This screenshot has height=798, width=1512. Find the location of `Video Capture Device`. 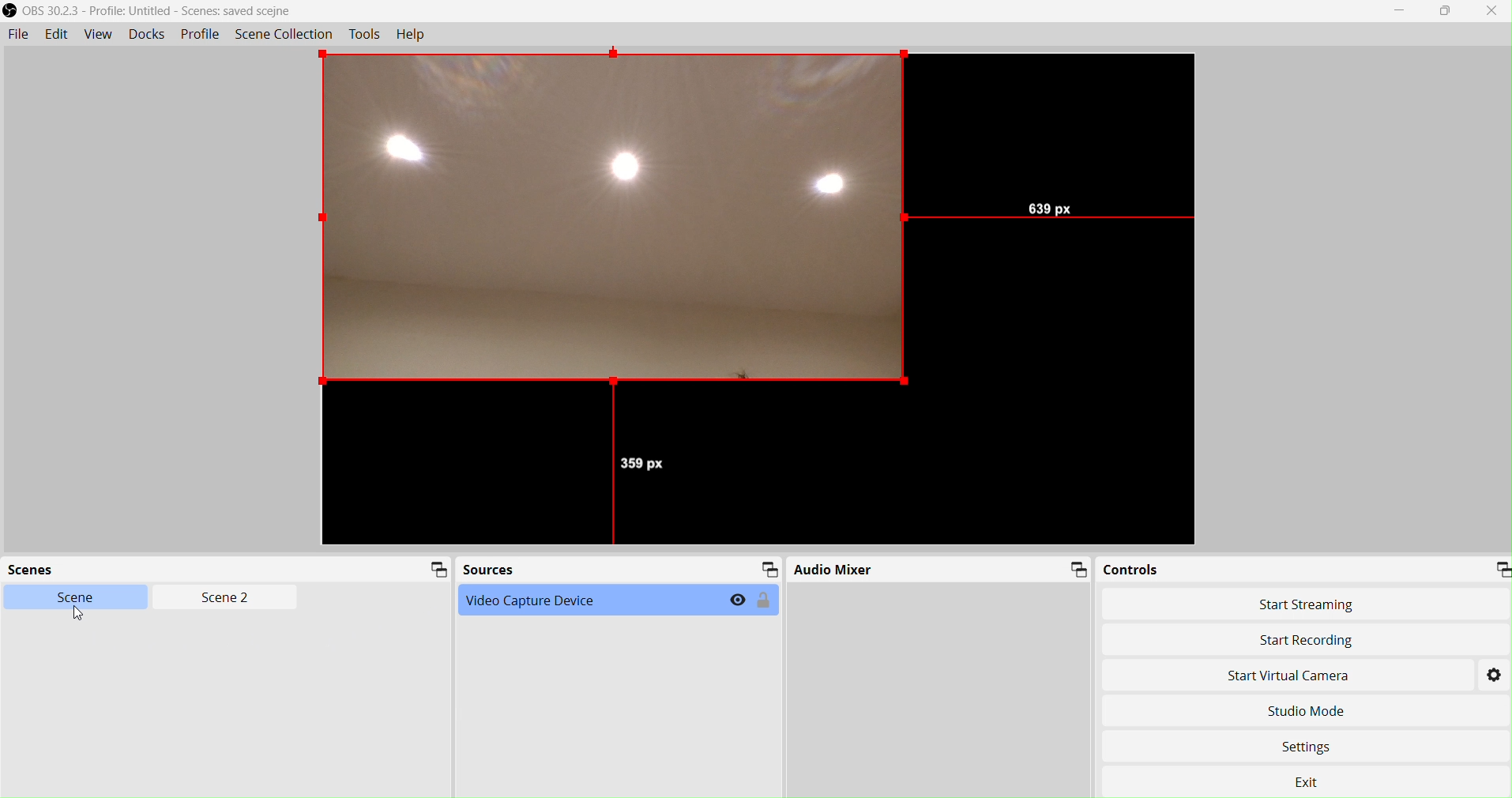

Video Capture Device is located at coordinates (618, 600).